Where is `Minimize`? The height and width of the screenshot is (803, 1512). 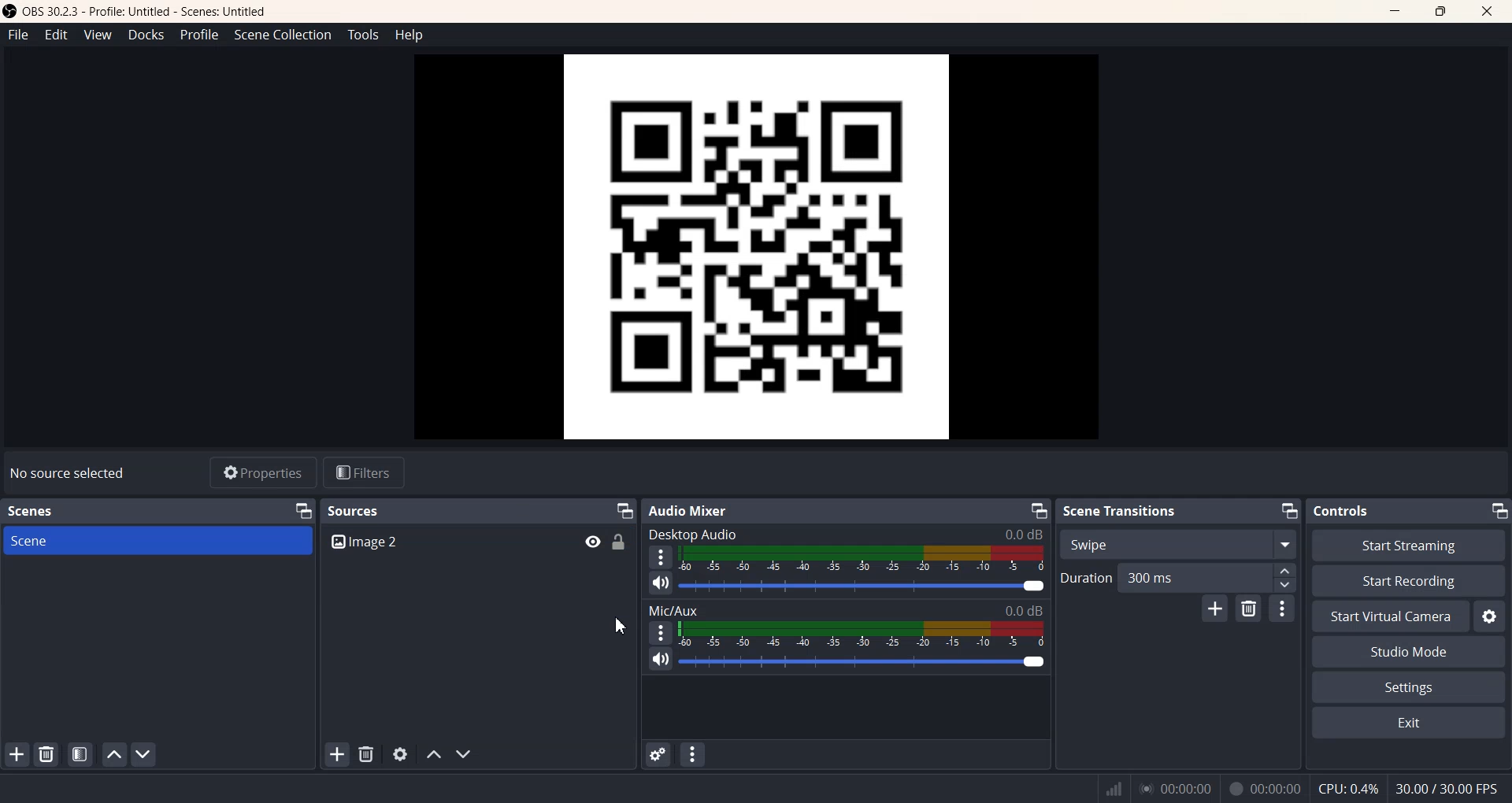 Minimize is located at coordinates (1287, 510).